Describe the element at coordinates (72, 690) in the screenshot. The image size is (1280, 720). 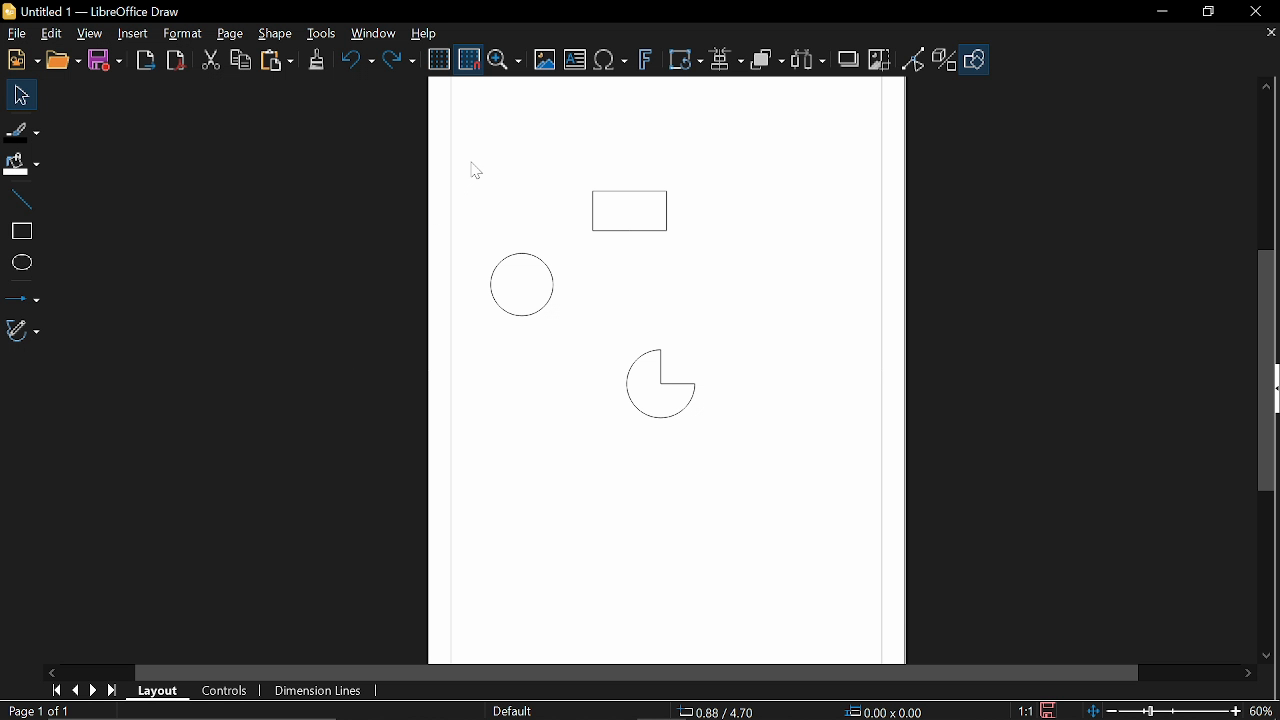
I see `Previous page` at that location.